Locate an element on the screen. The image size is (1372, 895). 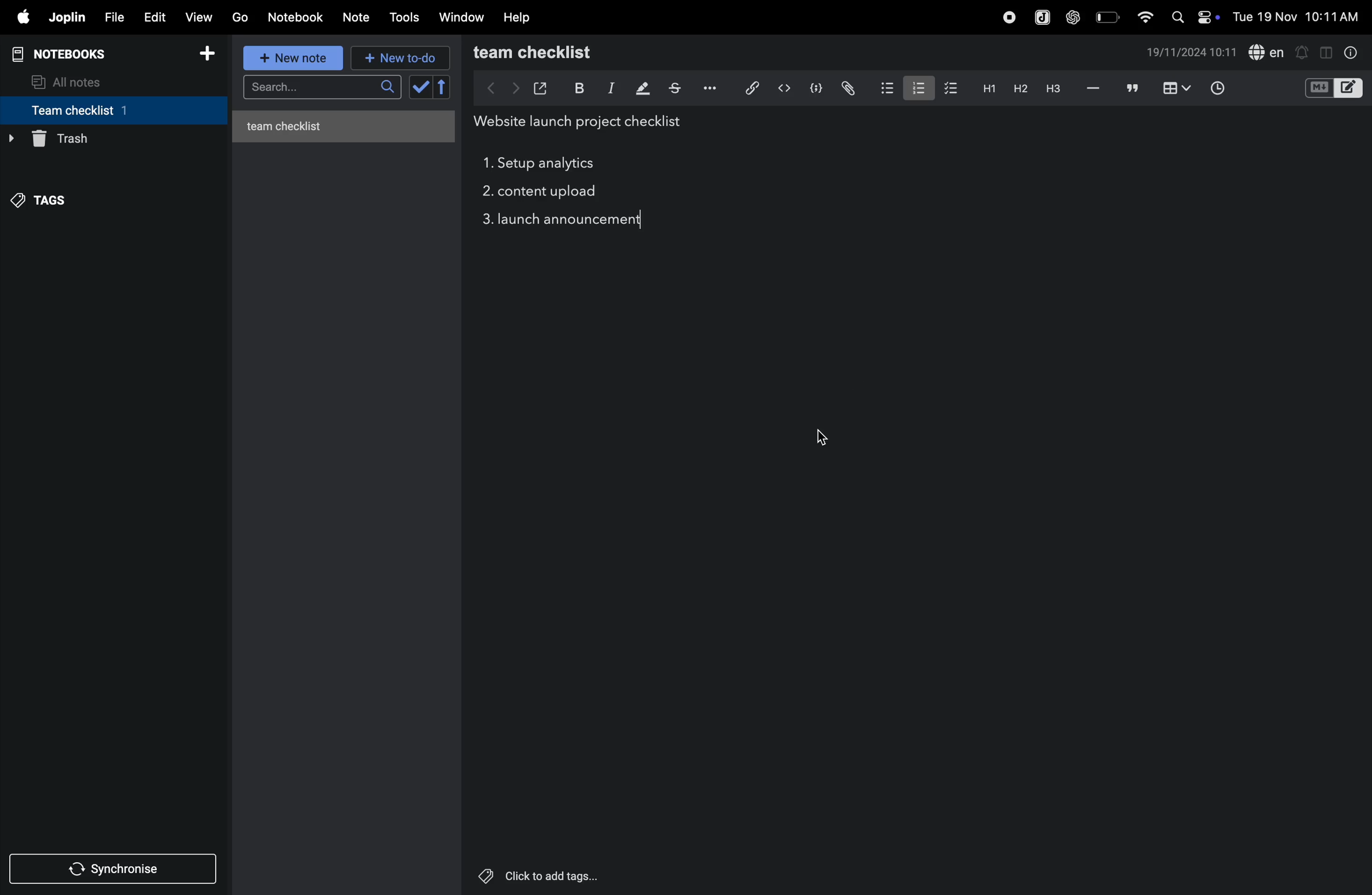
numbered list is located at coordinates (916, 87).